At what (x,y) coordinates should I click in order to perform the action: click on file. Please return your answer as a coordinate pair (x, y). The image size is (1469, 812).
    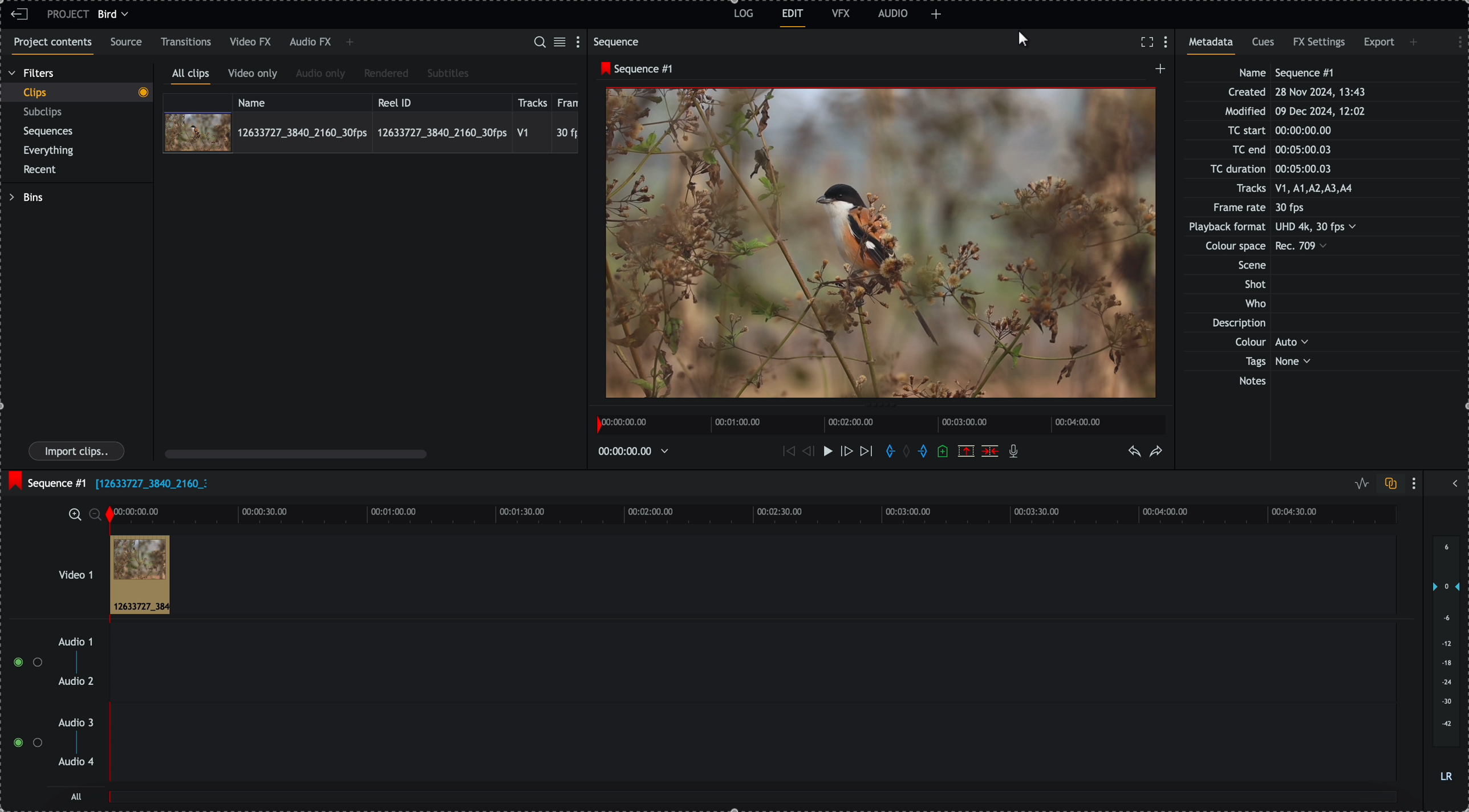
    Looking at the image, I should click on (151, 485).